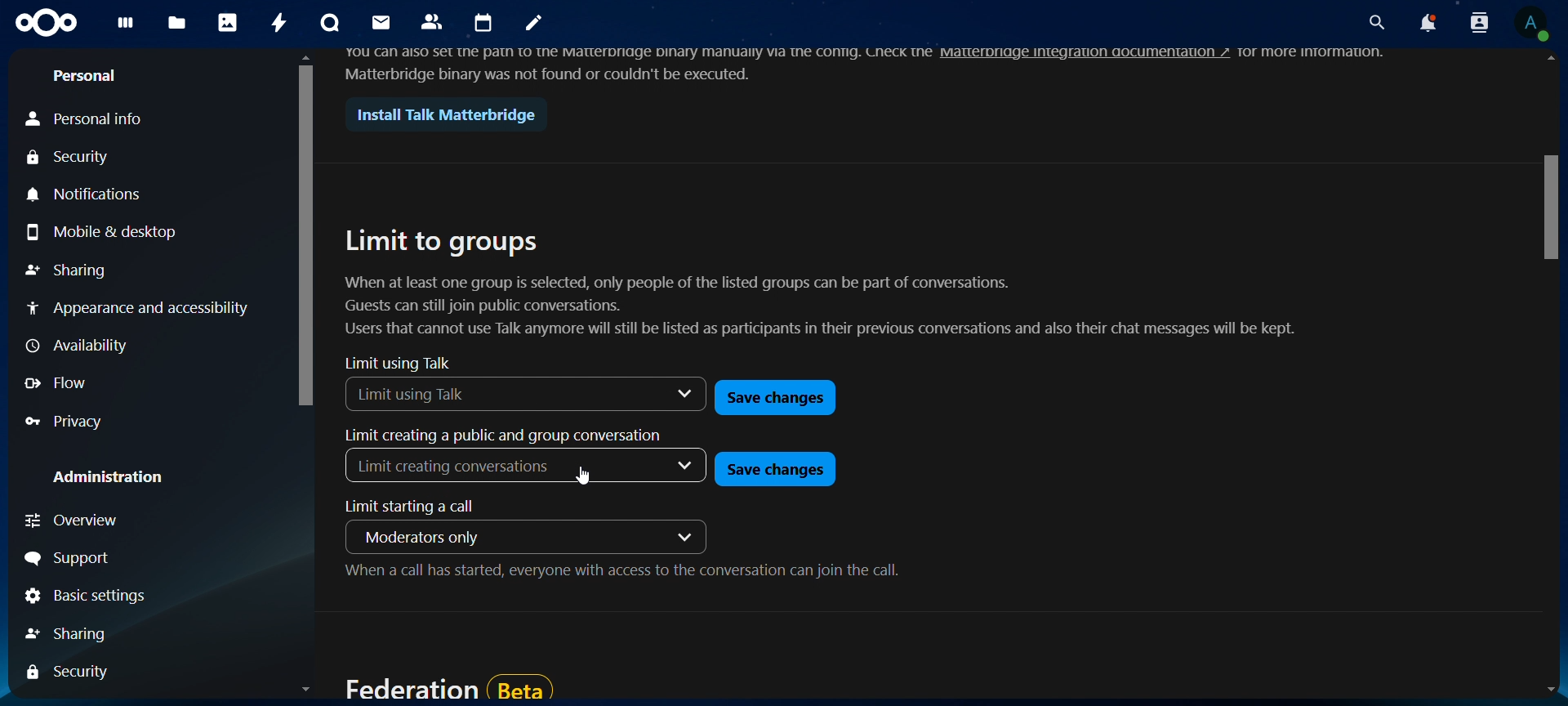  I want to click on limit using talk, so click(519, 395).